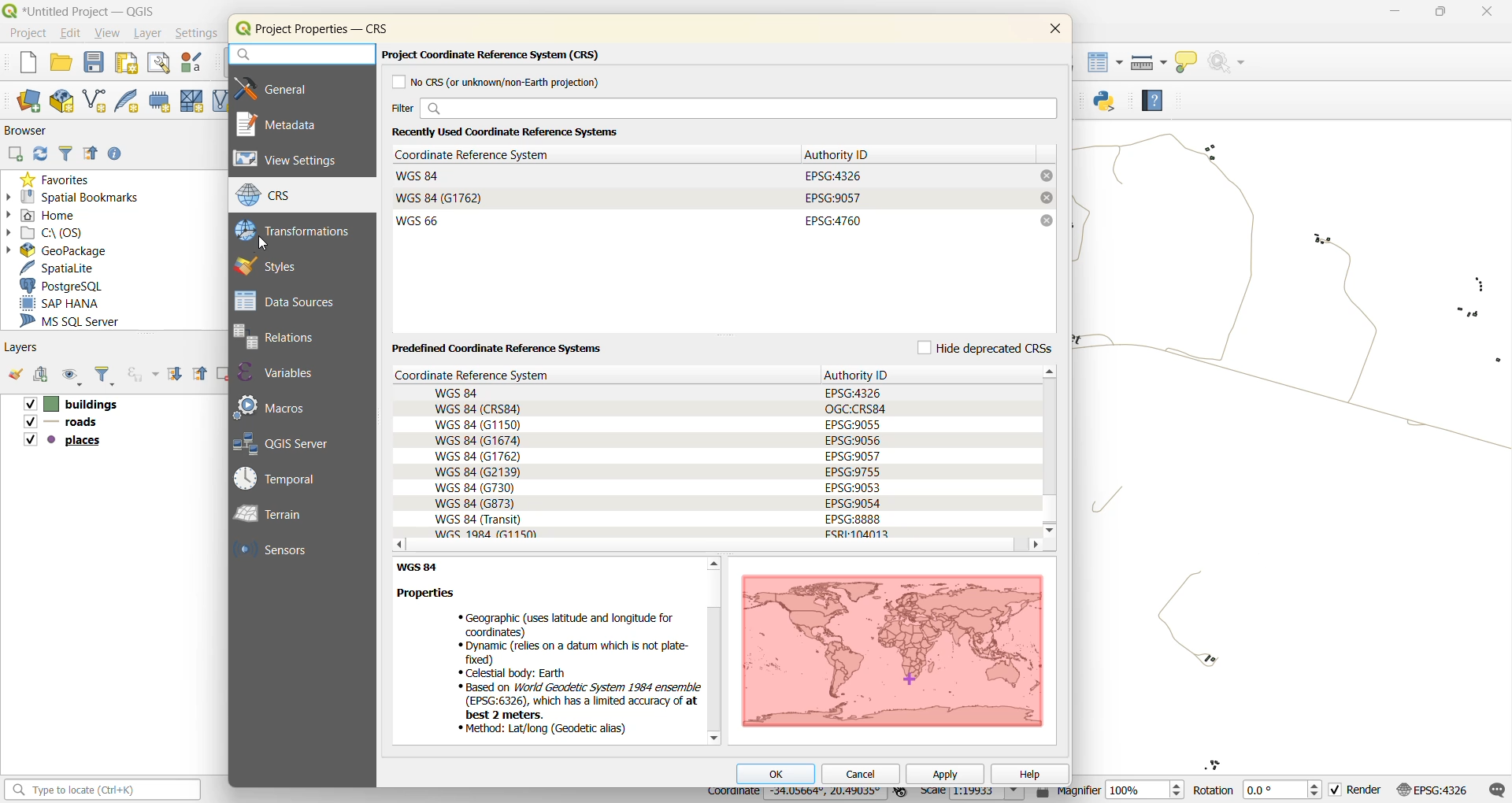 The height and width of the screenshot is (803, 1512). Describe the element at coordinates (1052, 371) in the screenshot. I see `scroll up` at that location.